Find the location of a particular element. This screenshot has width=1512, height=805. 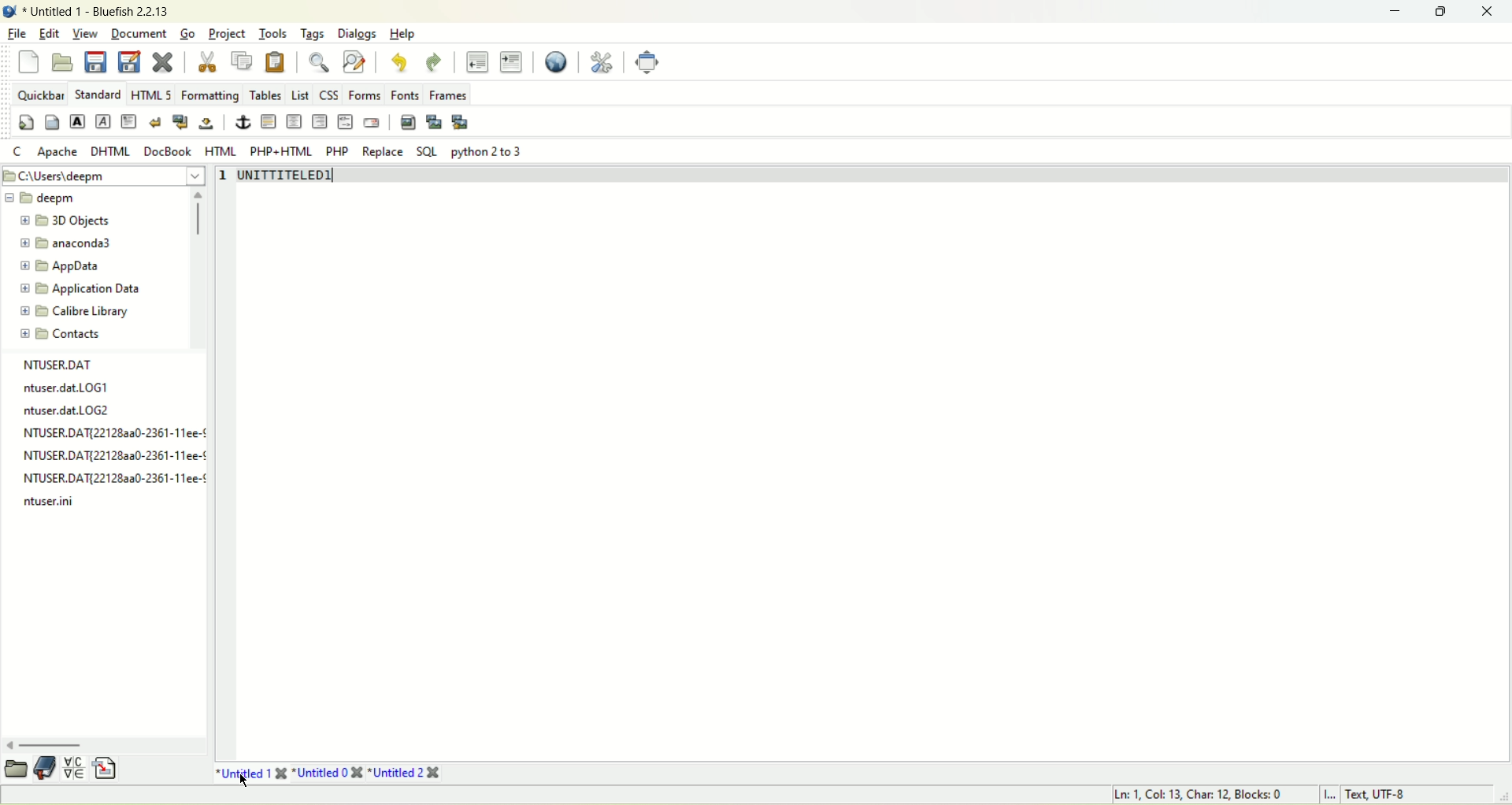

quickbar is located at coordinates (39, 92).